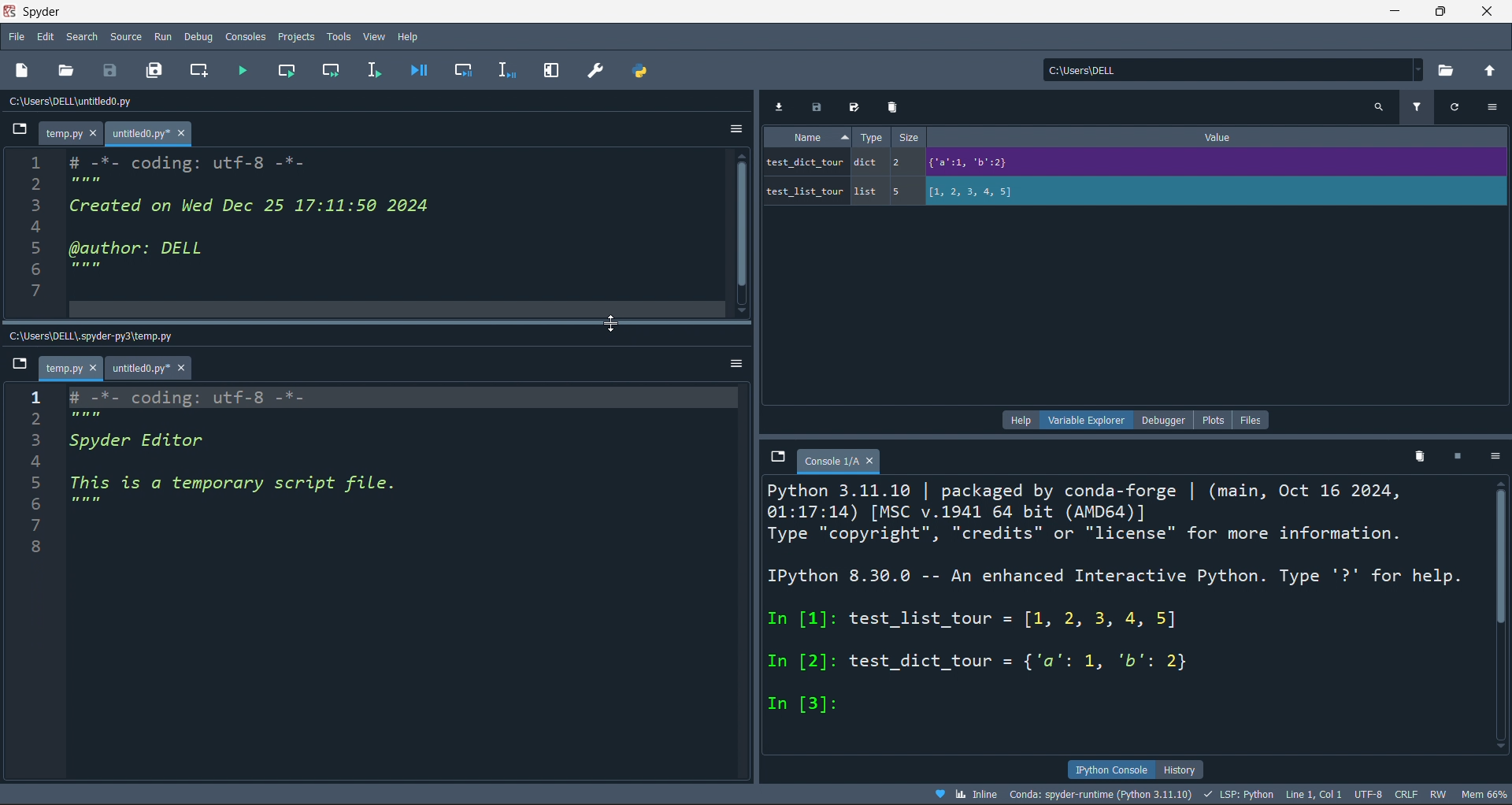  I want to click on untitledo.py* , so click(152, 369).